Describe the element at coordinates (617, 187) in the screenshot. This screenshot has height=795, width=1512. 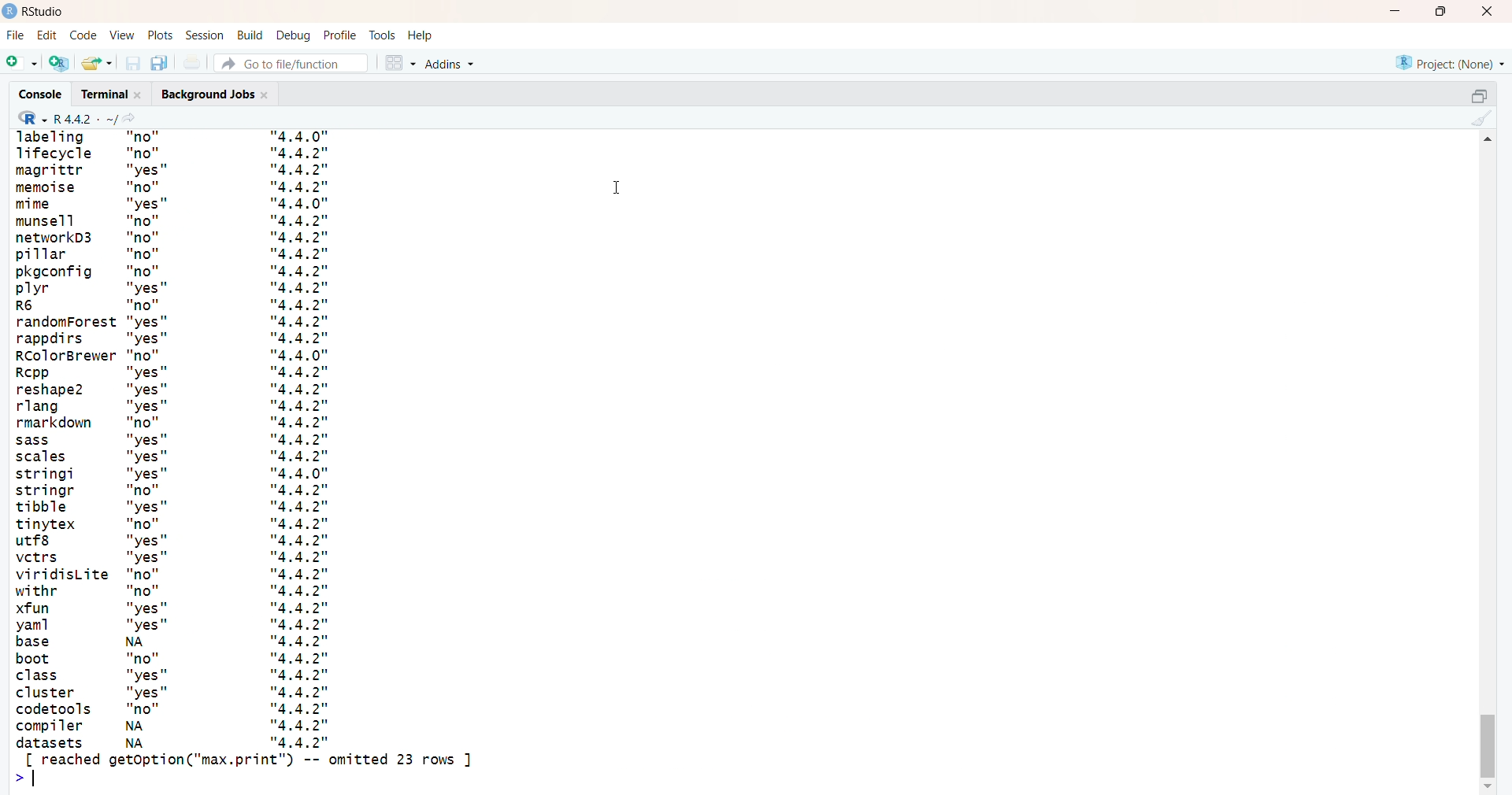
I see `cursor` at that location.